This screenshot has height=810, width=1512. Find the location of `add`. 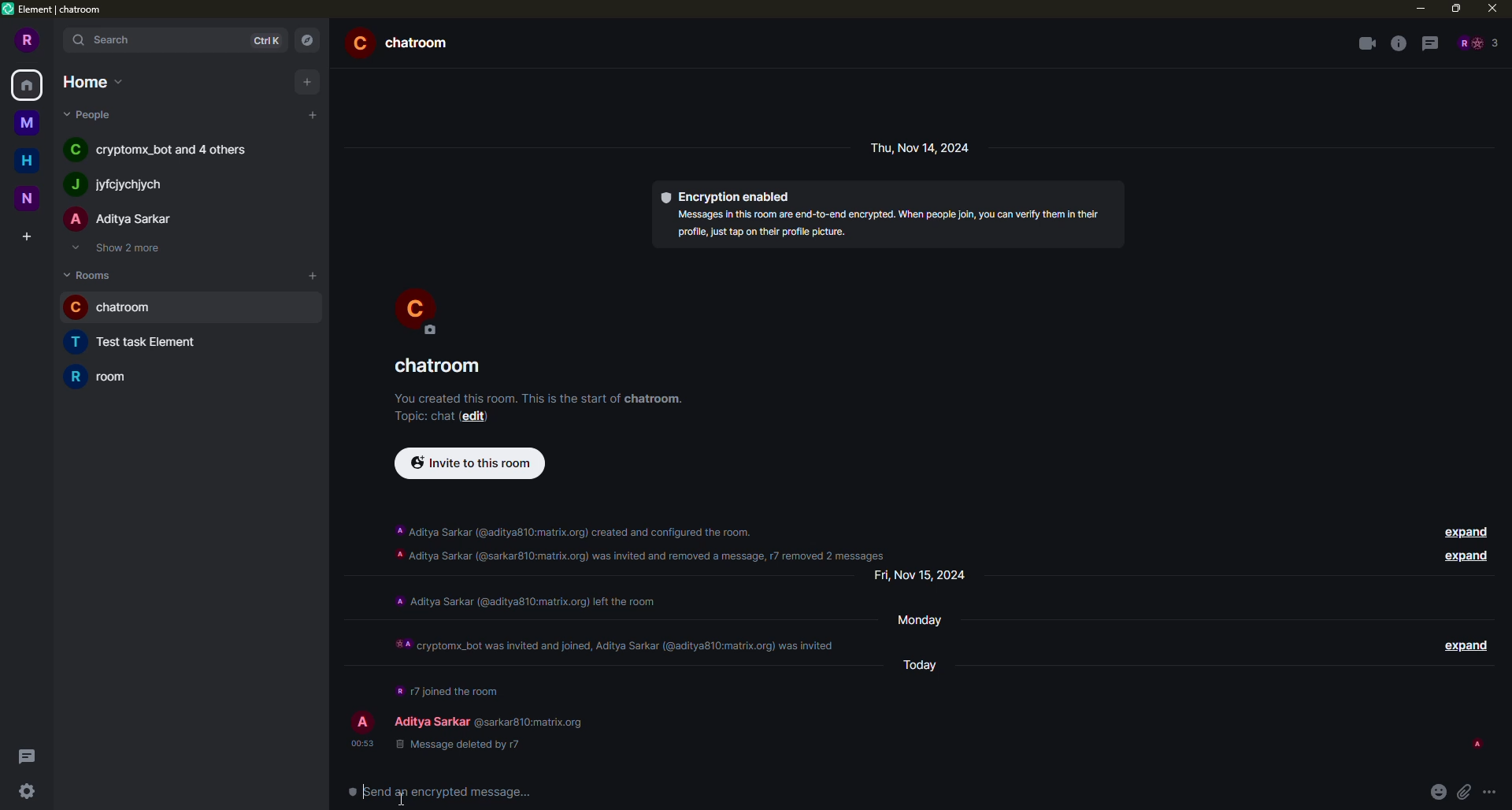

add is located at coordinates (305, 81).